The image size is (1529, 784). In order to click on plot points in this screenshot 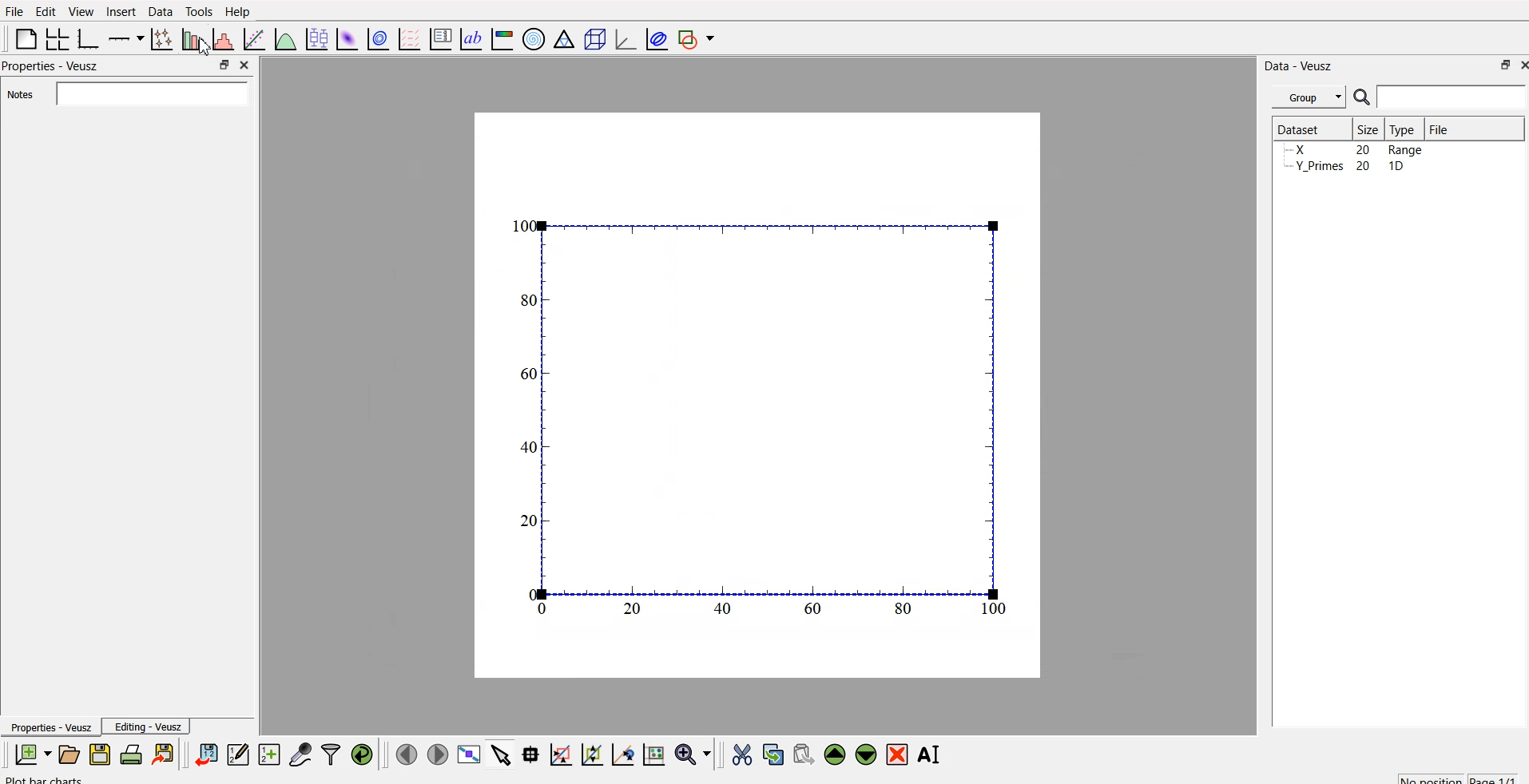, I will do `click(158, 38)`.